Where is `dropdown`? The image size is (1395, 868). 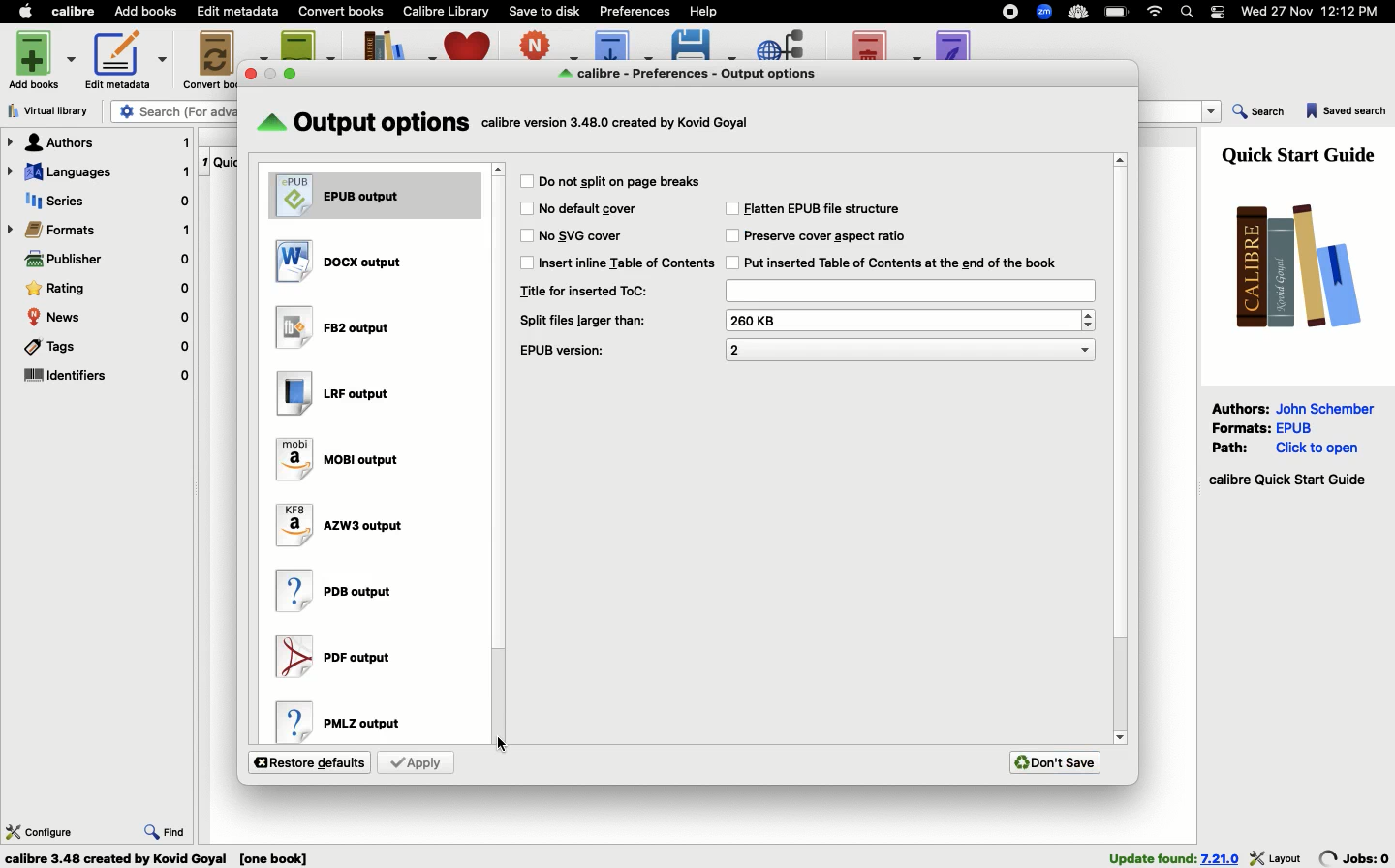
dropdown is located at coordinates (1213, 112).